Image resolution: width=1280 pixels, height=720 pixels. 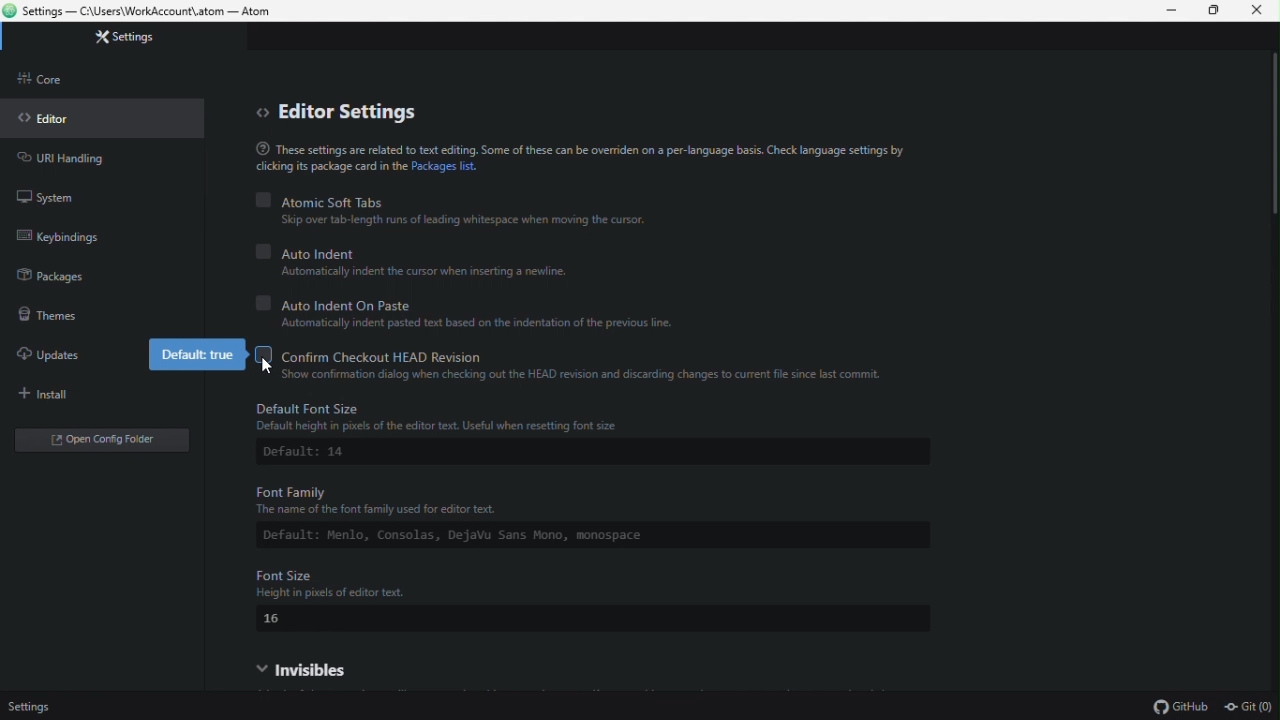 I want to click on ‘Skip over tab-length runs of leading whitespace when moving the cursor., so click(x=470, y=220).